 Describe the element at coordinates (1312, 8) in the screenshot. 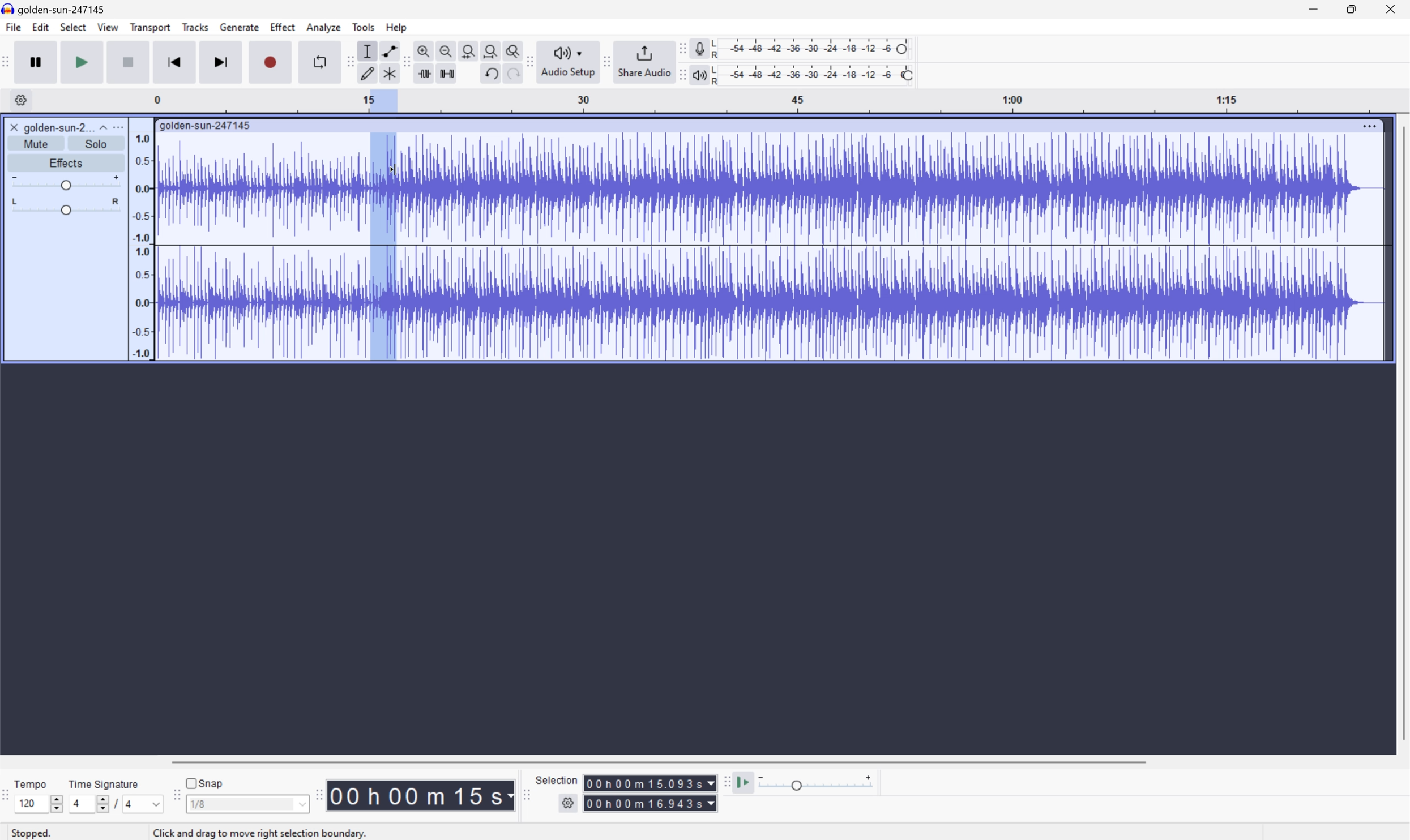

I see `Minimize` at that location.